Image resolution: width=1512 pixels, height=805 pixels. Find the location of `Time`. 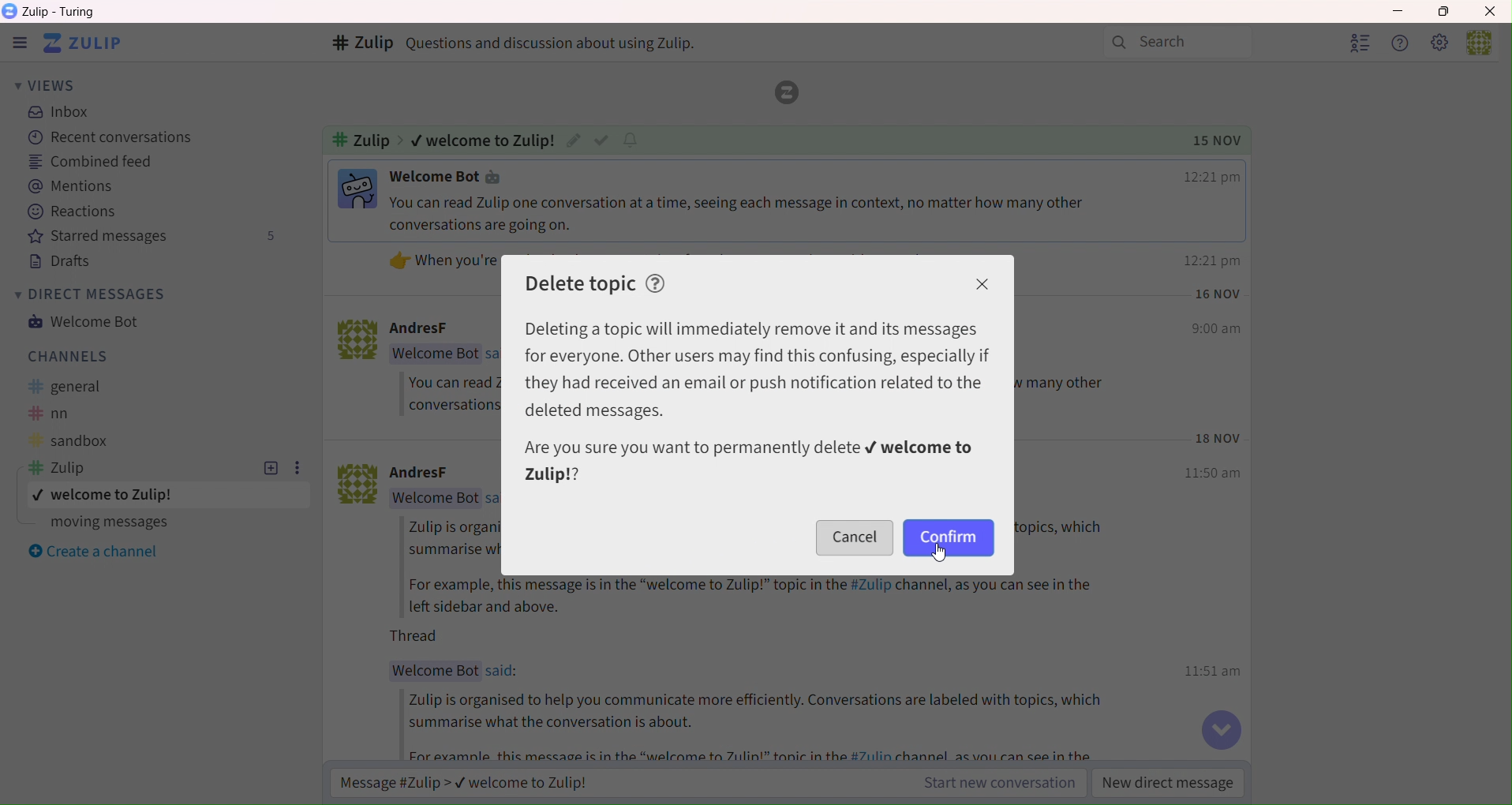

Time is located at coordinates (1214, 472).